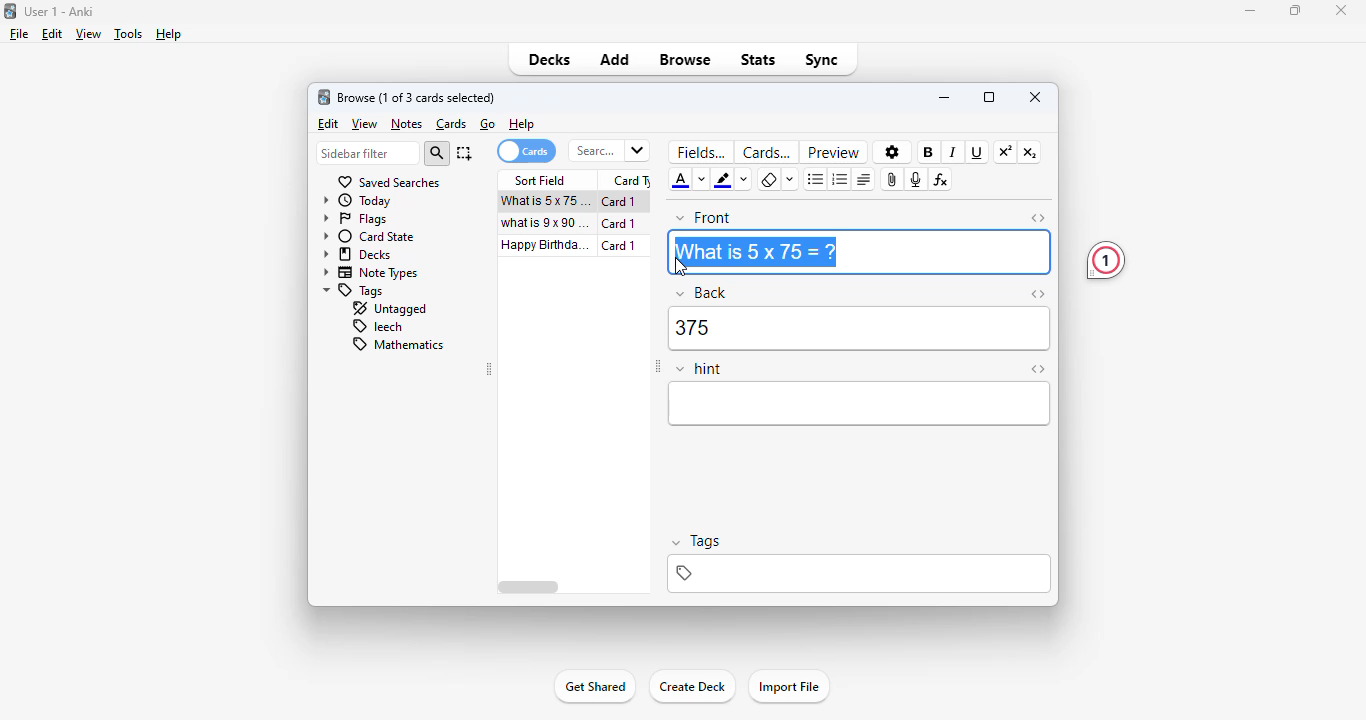 Image resolution: width=1366 pixels, height=720 pixels. Describe the element at coordinates (753, 252) in the screenshot. I see `What is 5 x 75=?` at that location.